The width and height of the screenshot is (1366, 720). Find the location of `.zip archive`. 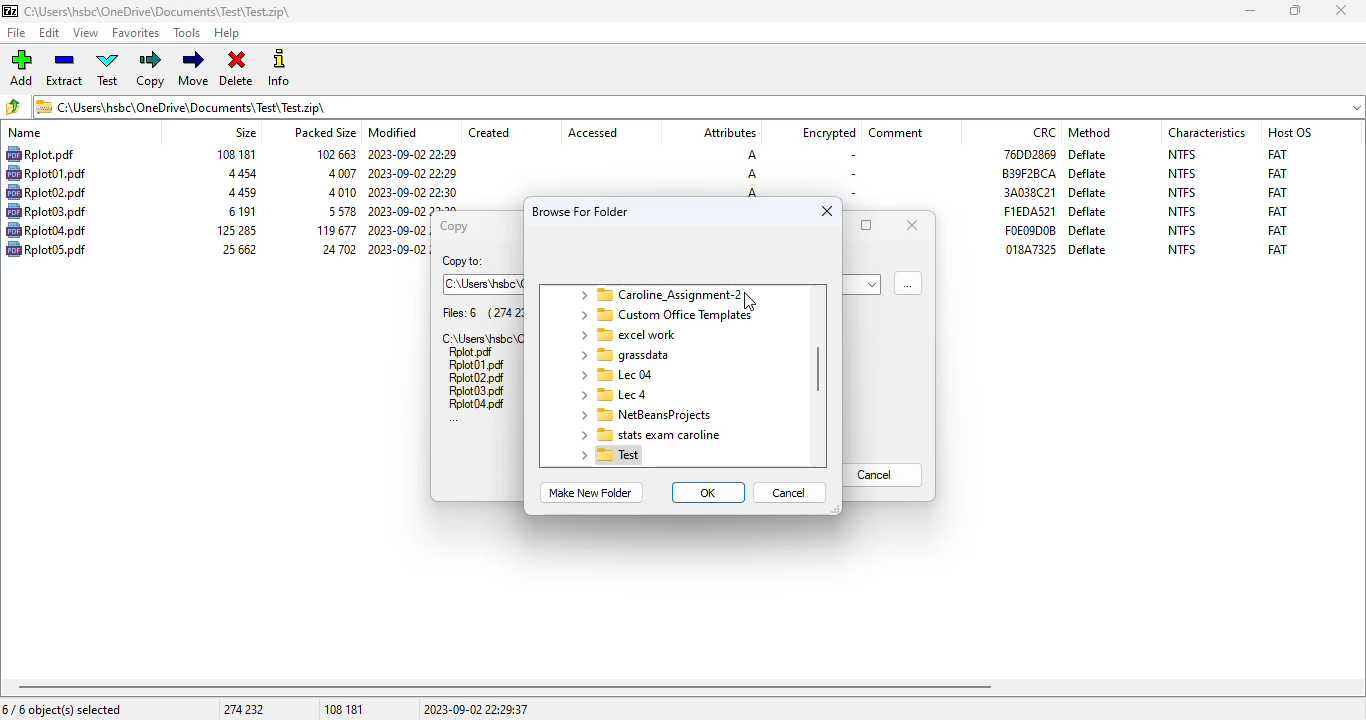

.zip archive is located at coordinates (699, 106).